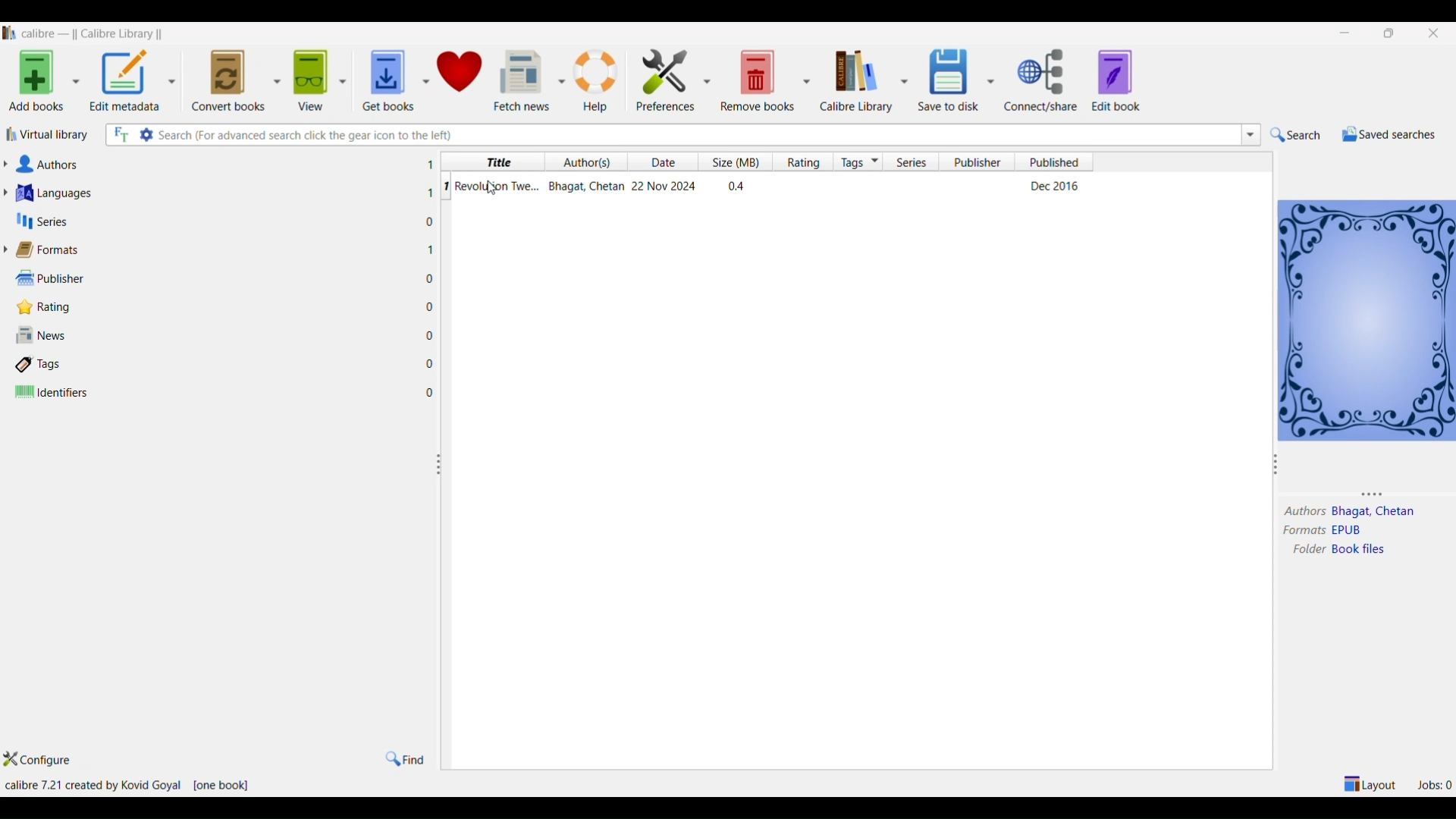 This screenshot has width=1456, height=819. Describe the element at coordinates (95, 32) in the screenshot. I see `application name ` at that location.